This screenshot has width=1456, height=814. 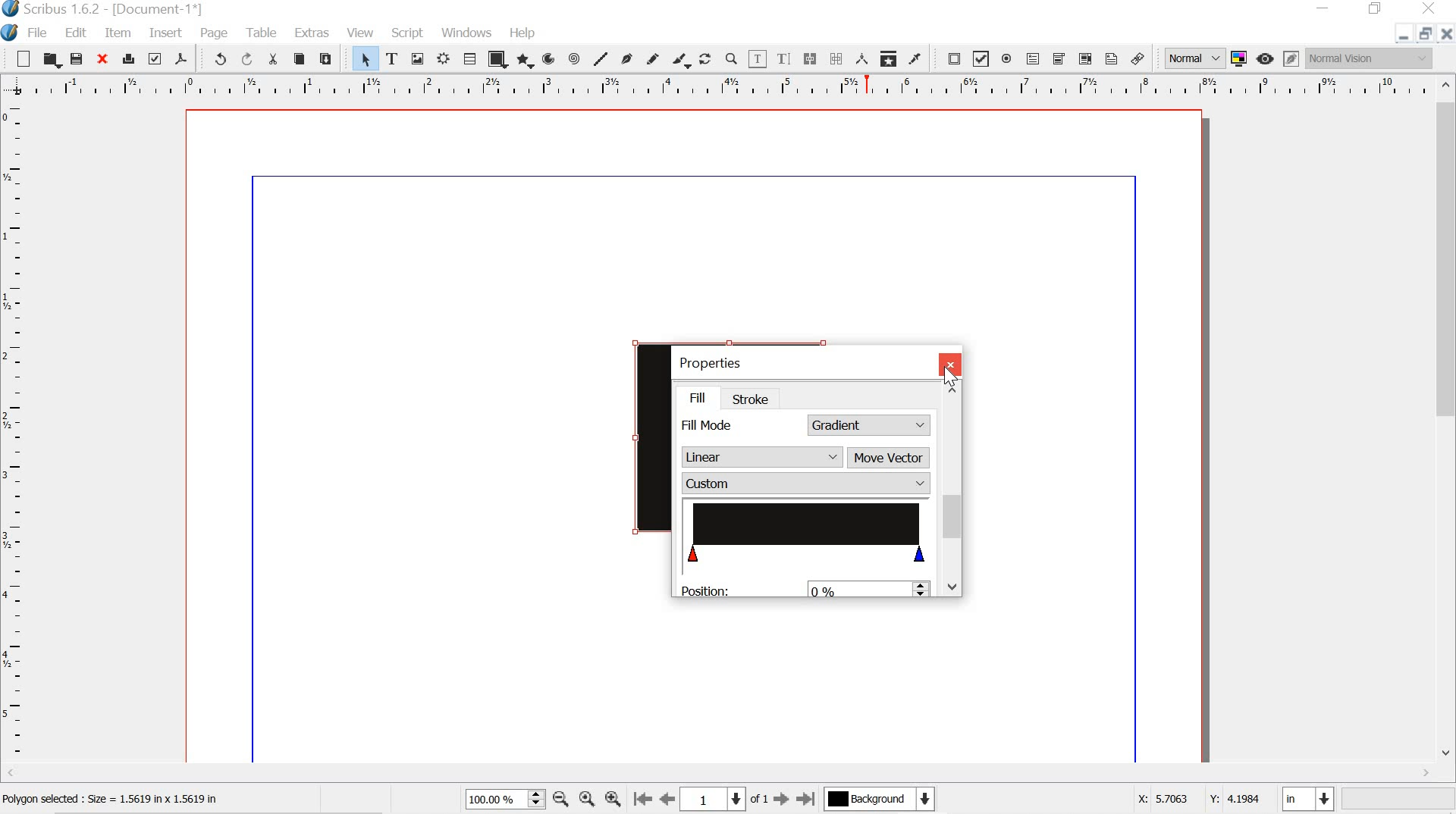 What do you see at coordinates (811, 58) in the screenshot?
I see `link text frames` at bounding box center [811, 58].